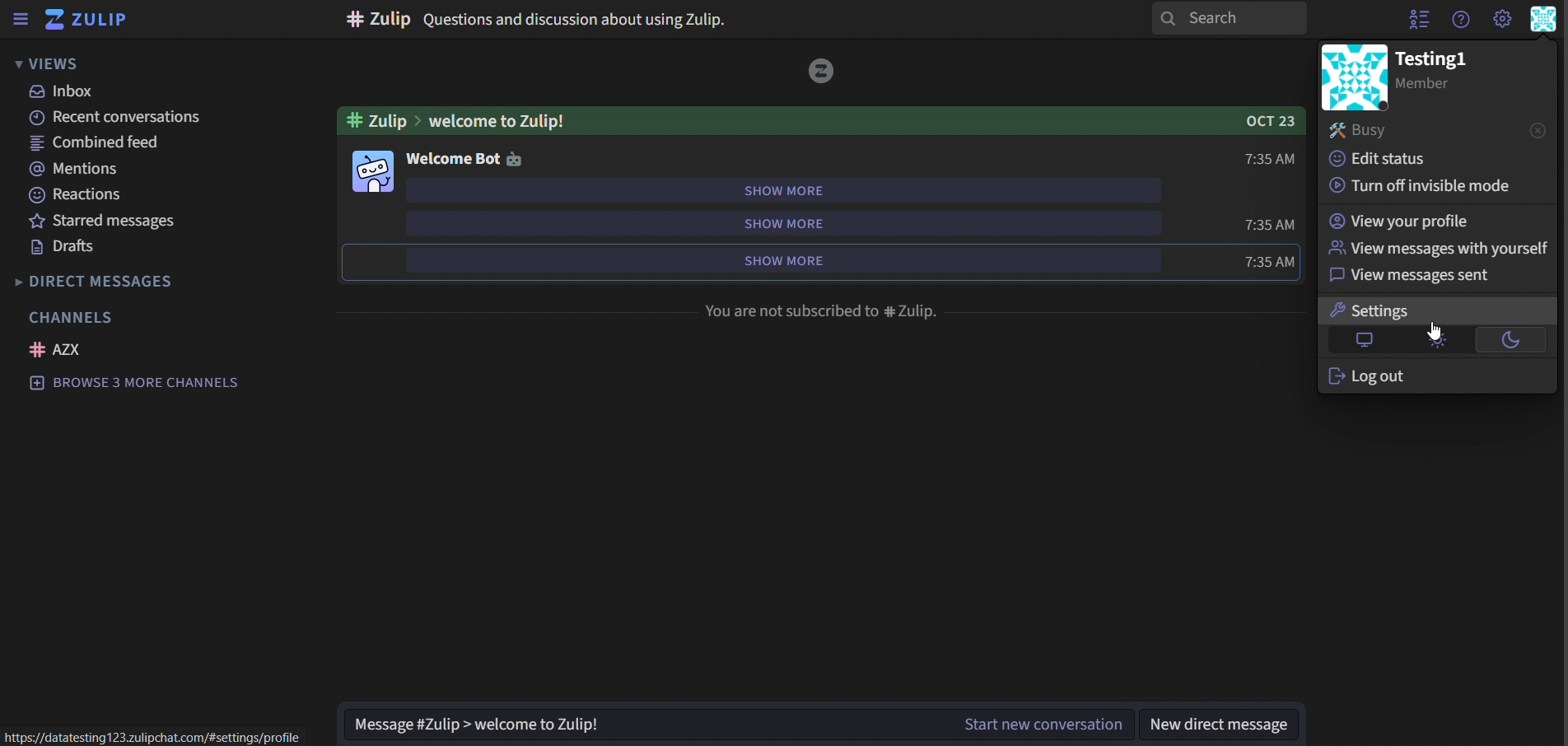  I want to click on image, so click(1353, 77).